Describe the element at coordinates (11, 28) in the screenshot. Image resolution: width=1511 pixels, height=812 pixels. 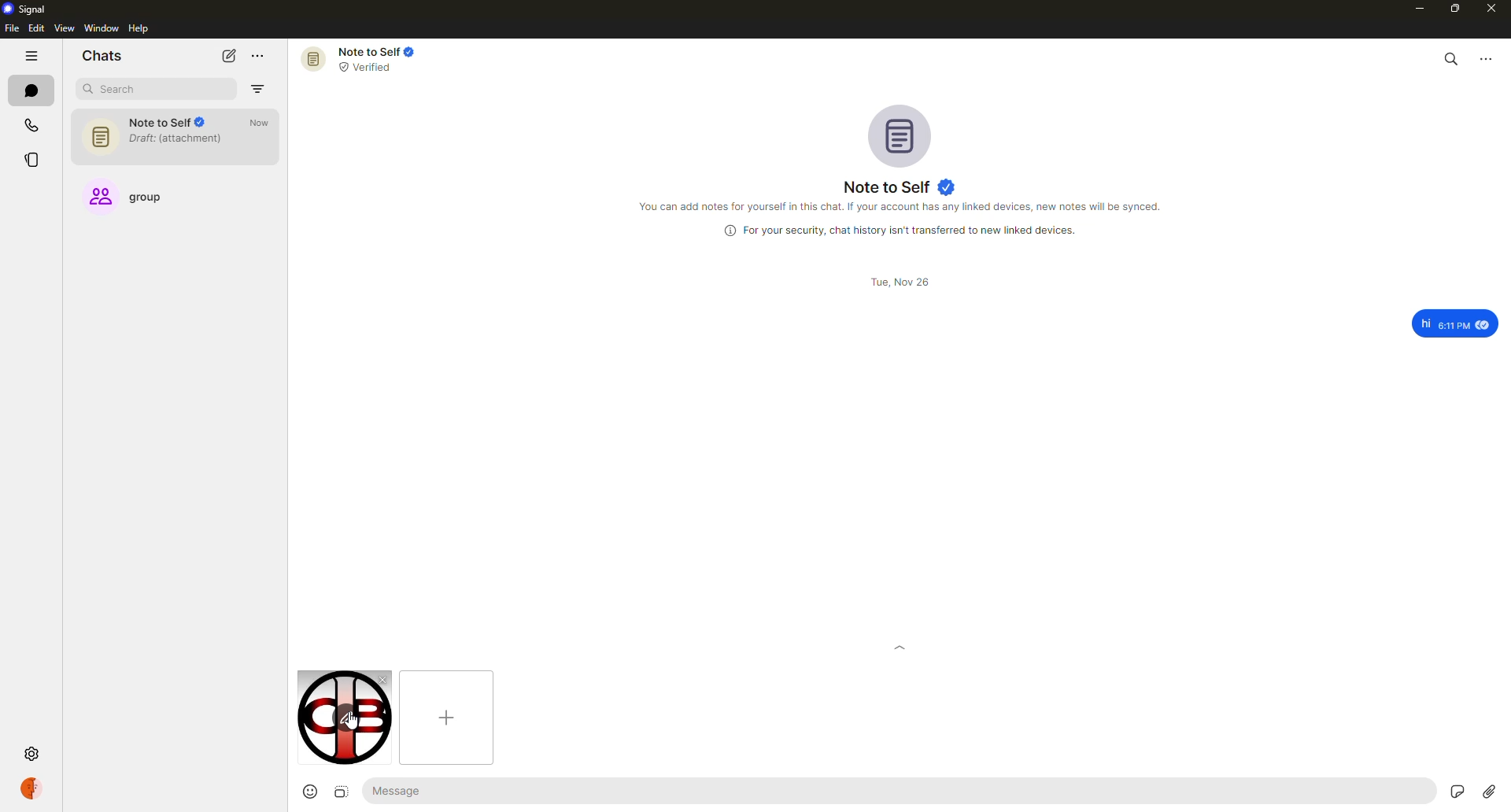
I see `file` at that location.